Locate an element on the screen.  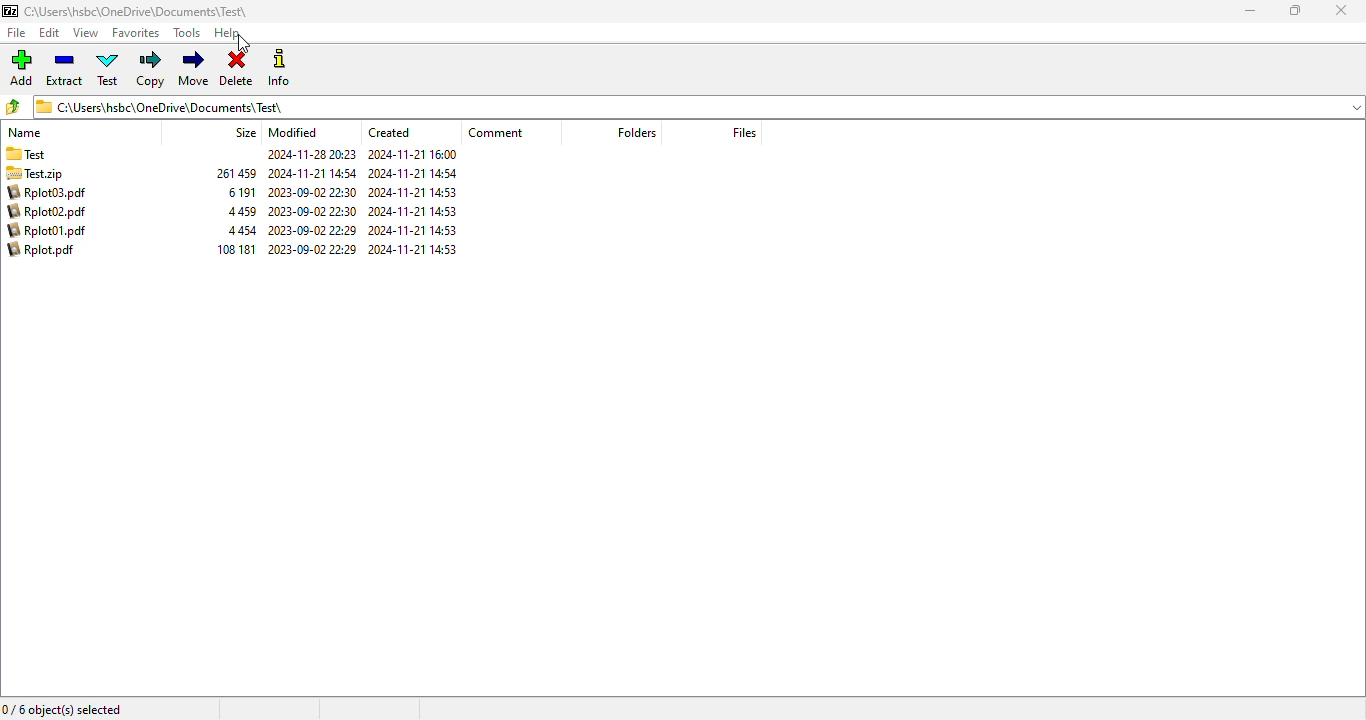
Rplot03.pdf  is located at coordinates (47, 193).